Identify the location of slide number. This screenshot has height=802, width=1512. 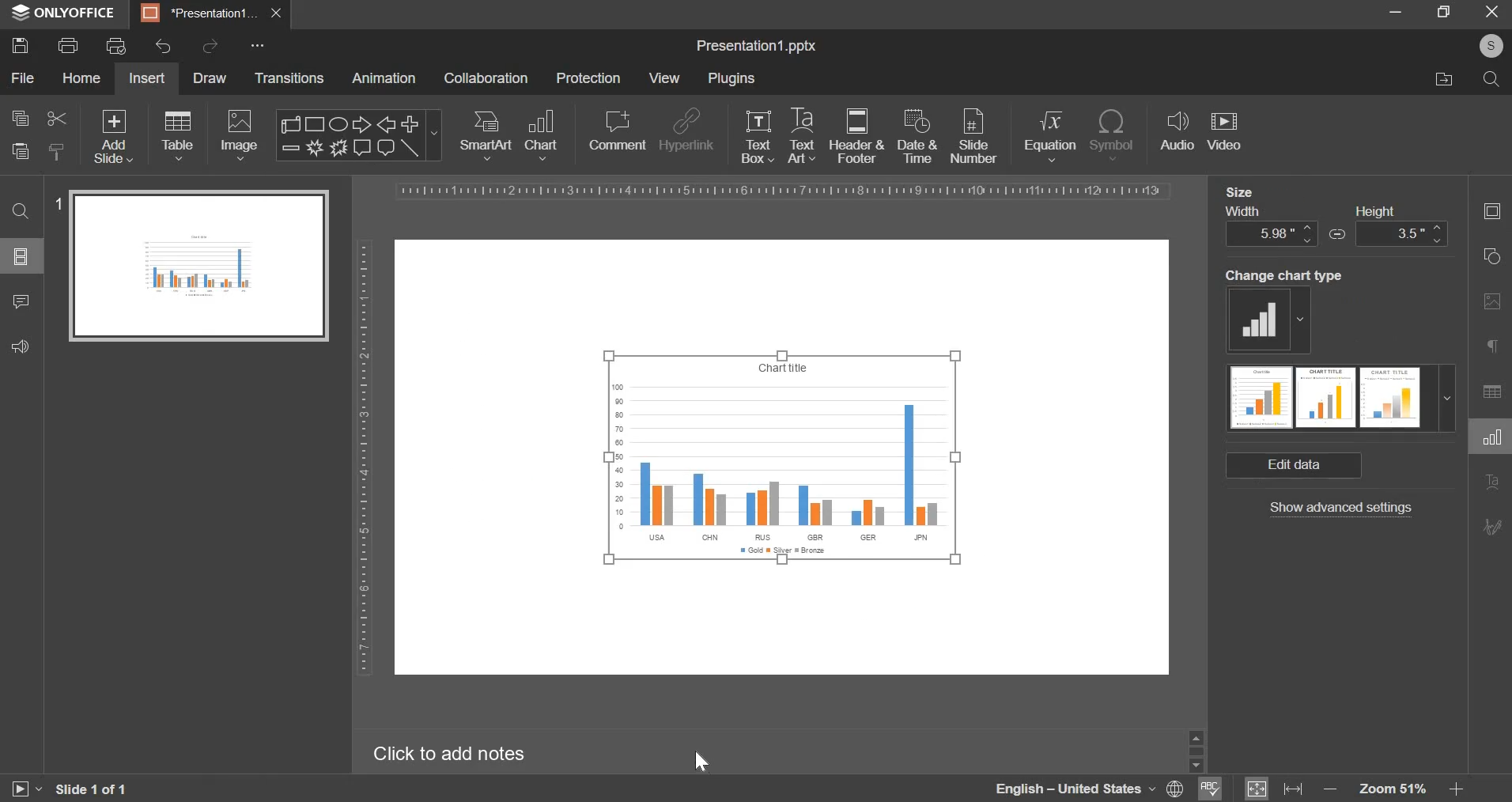
(57, 203).